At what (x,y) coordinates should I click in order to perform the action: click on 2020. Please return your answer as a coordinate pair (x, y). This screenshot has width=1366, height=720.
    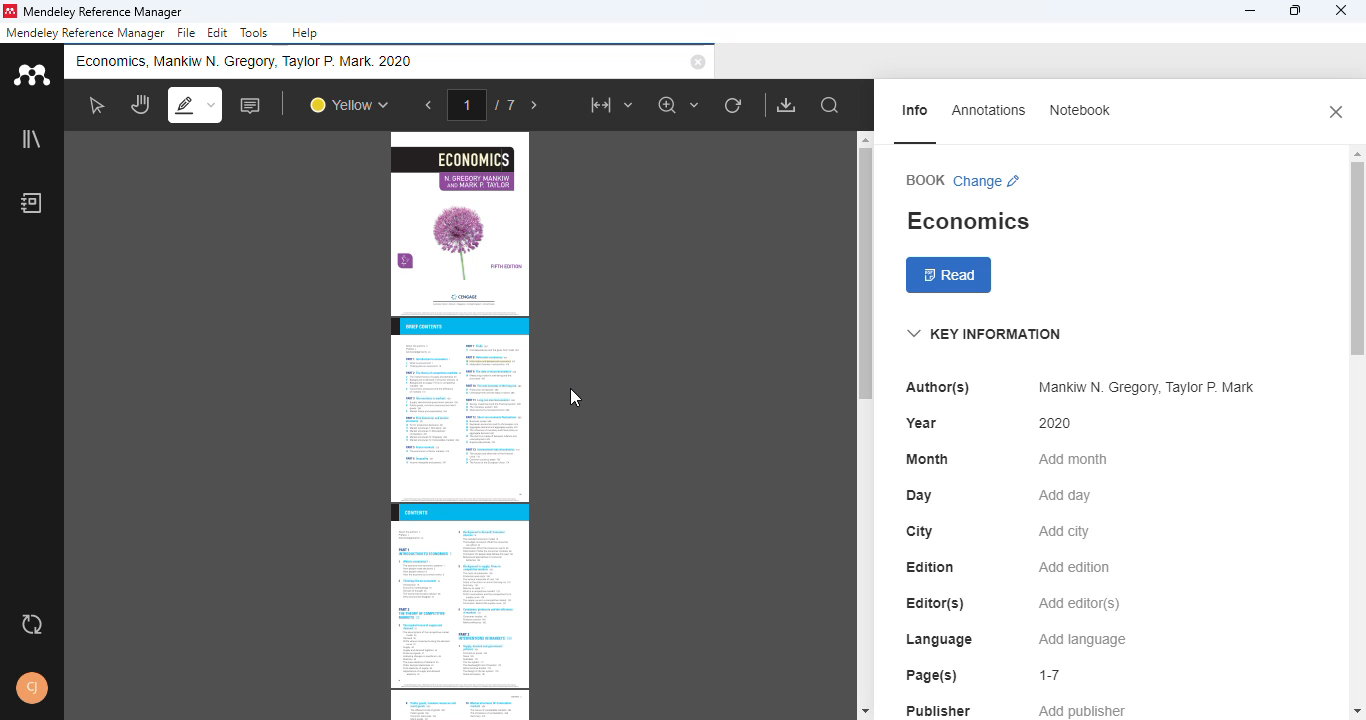
    Looking at the image, I should click on (1056, 423).